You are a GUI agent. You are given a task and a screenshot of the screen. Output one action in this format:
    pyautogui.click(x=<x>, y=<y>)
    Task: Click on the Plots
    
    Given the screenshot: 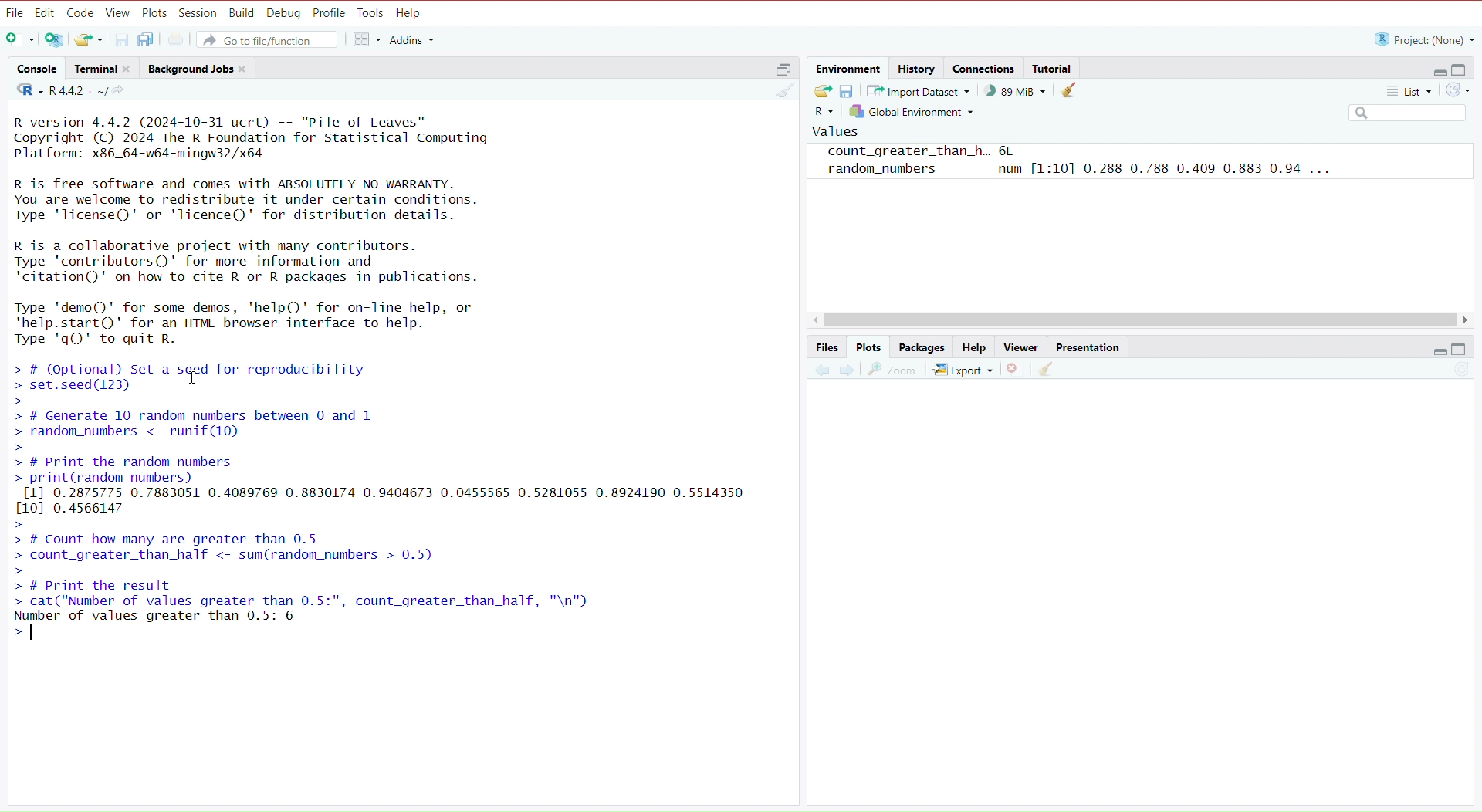 What is the action you would take?
    pyautogui.click(x=868, y=347)
    